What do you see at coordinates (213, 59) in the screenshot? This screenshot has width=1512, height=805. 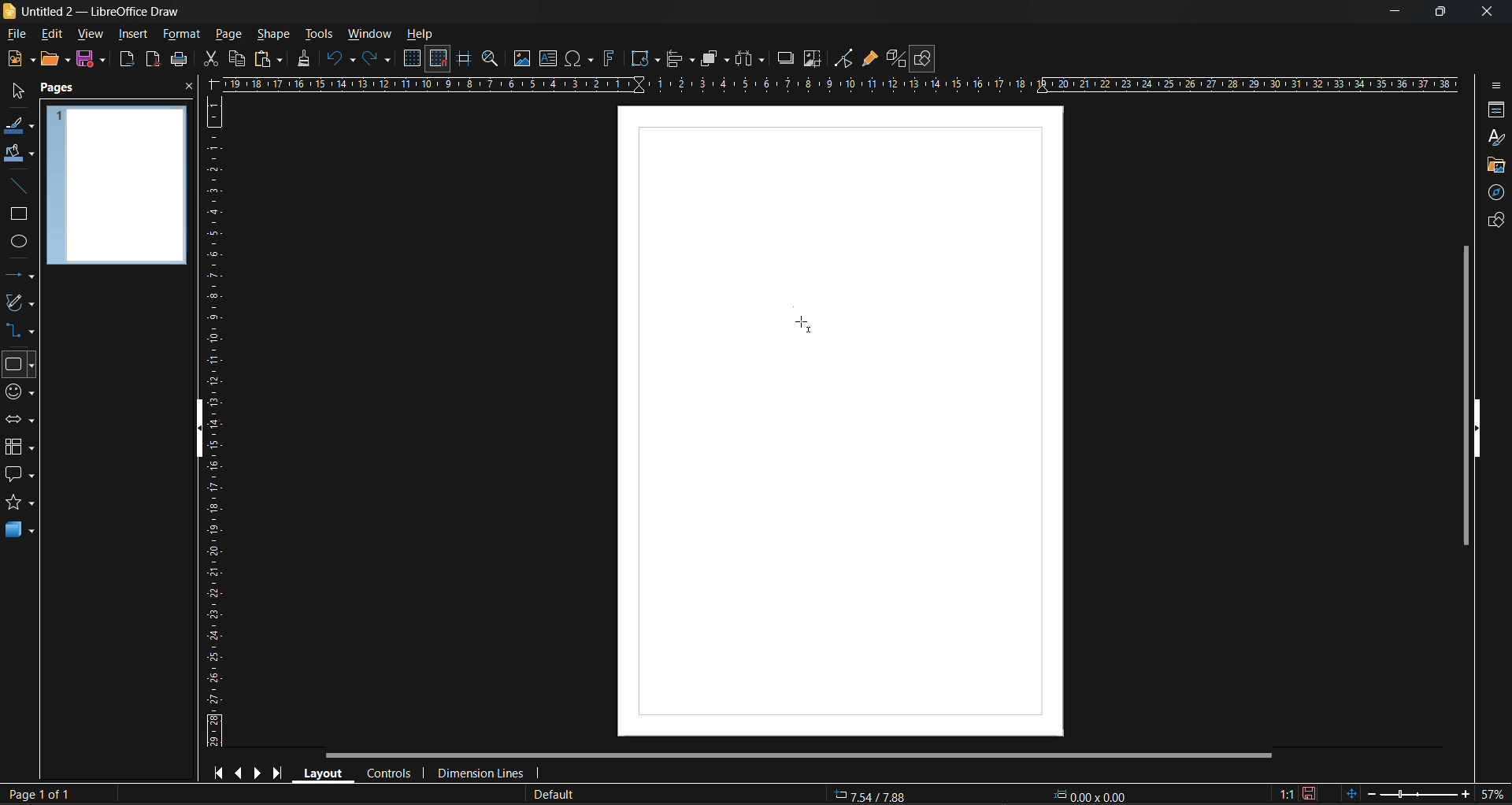 I see `cut` at bounding box center [213, 59].